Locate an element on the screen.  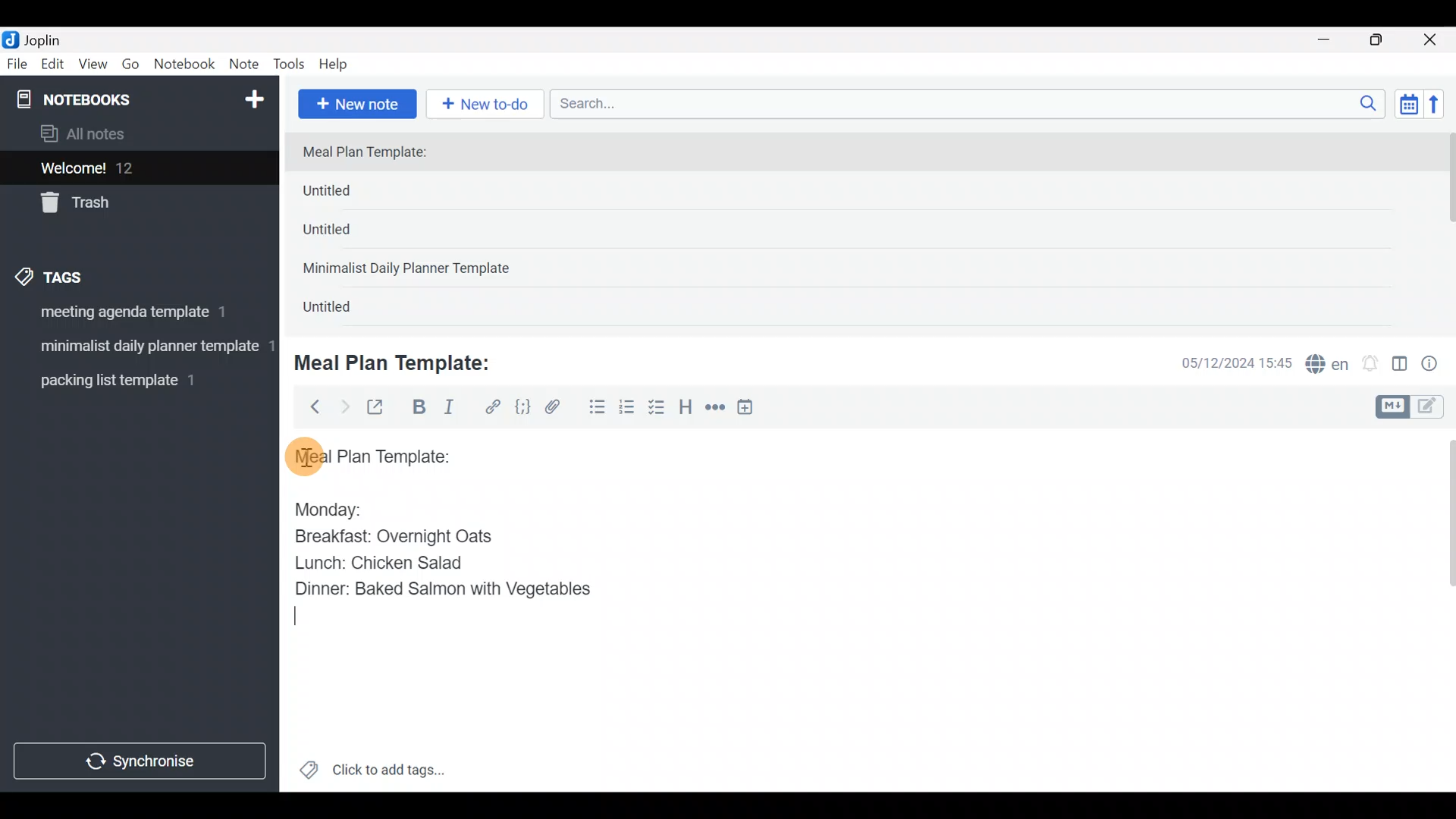
Synchronize is located at coordinates (142, 761).